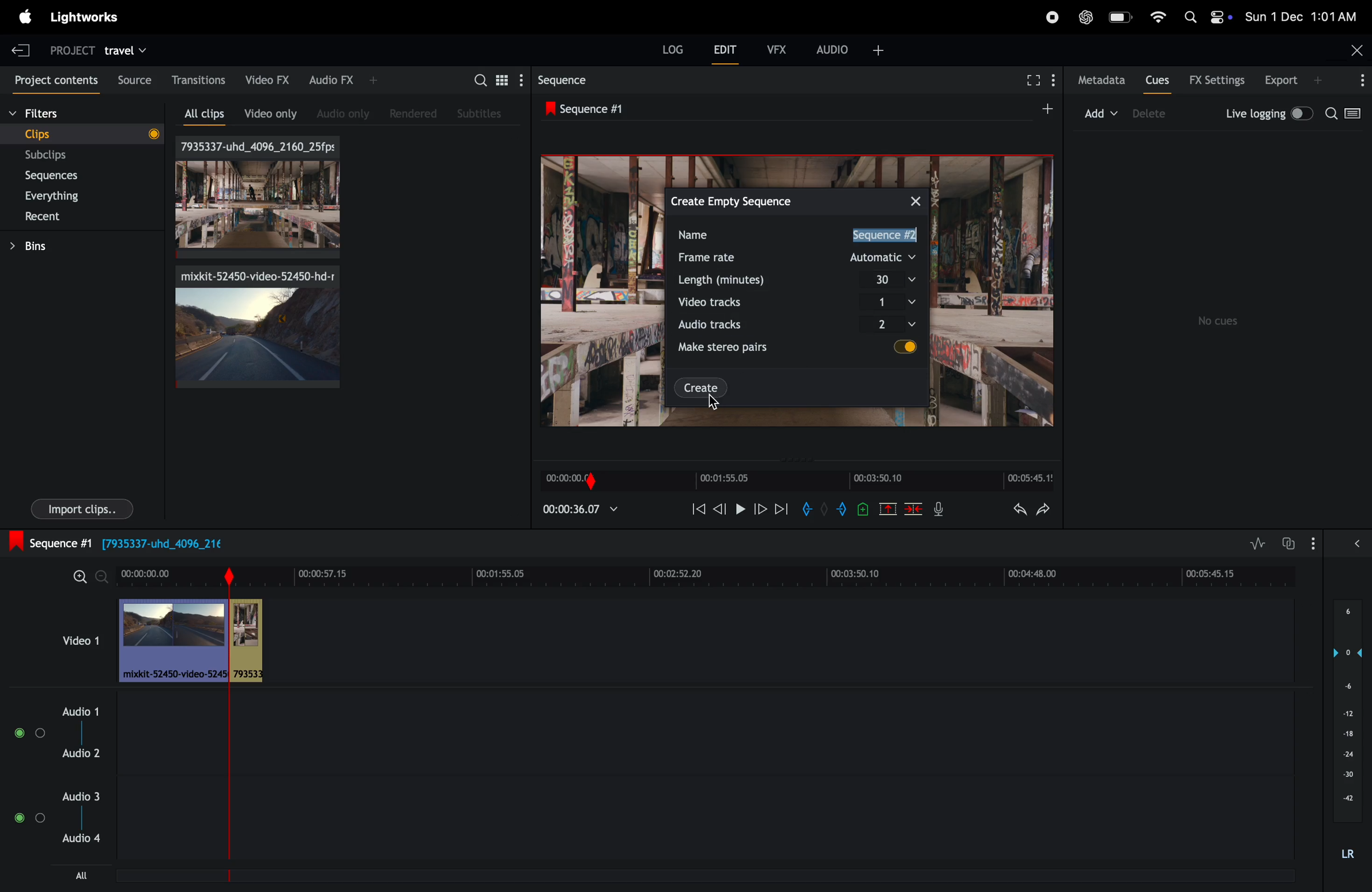 The image size is (1372, 892). What do you see at coordinates (79, 176) in the screenshot?
I see `sequences` at bounding box center [79, 176].